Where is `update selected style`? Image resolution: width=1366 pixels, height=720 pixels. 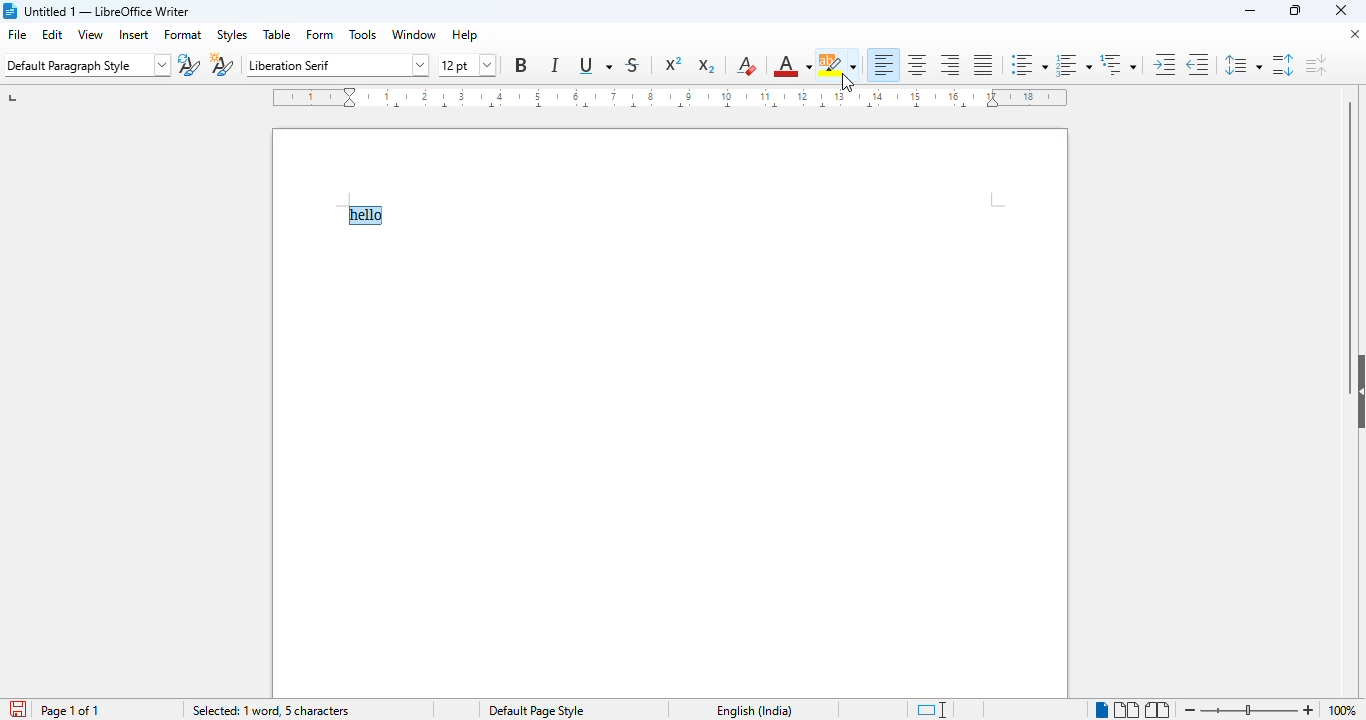
update selected style is located at coordinates (189, 65).